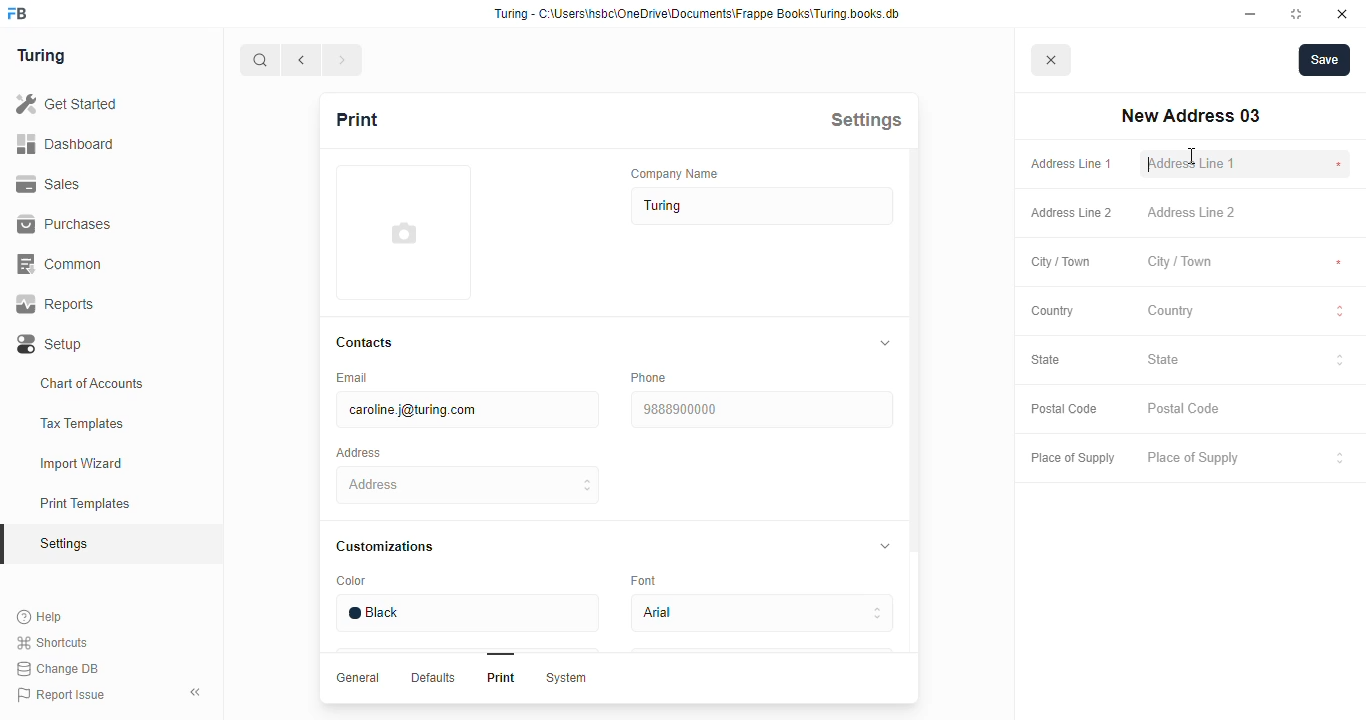 The image size is (1366, 720). I want to click on 9888900000, so click(760, 410).